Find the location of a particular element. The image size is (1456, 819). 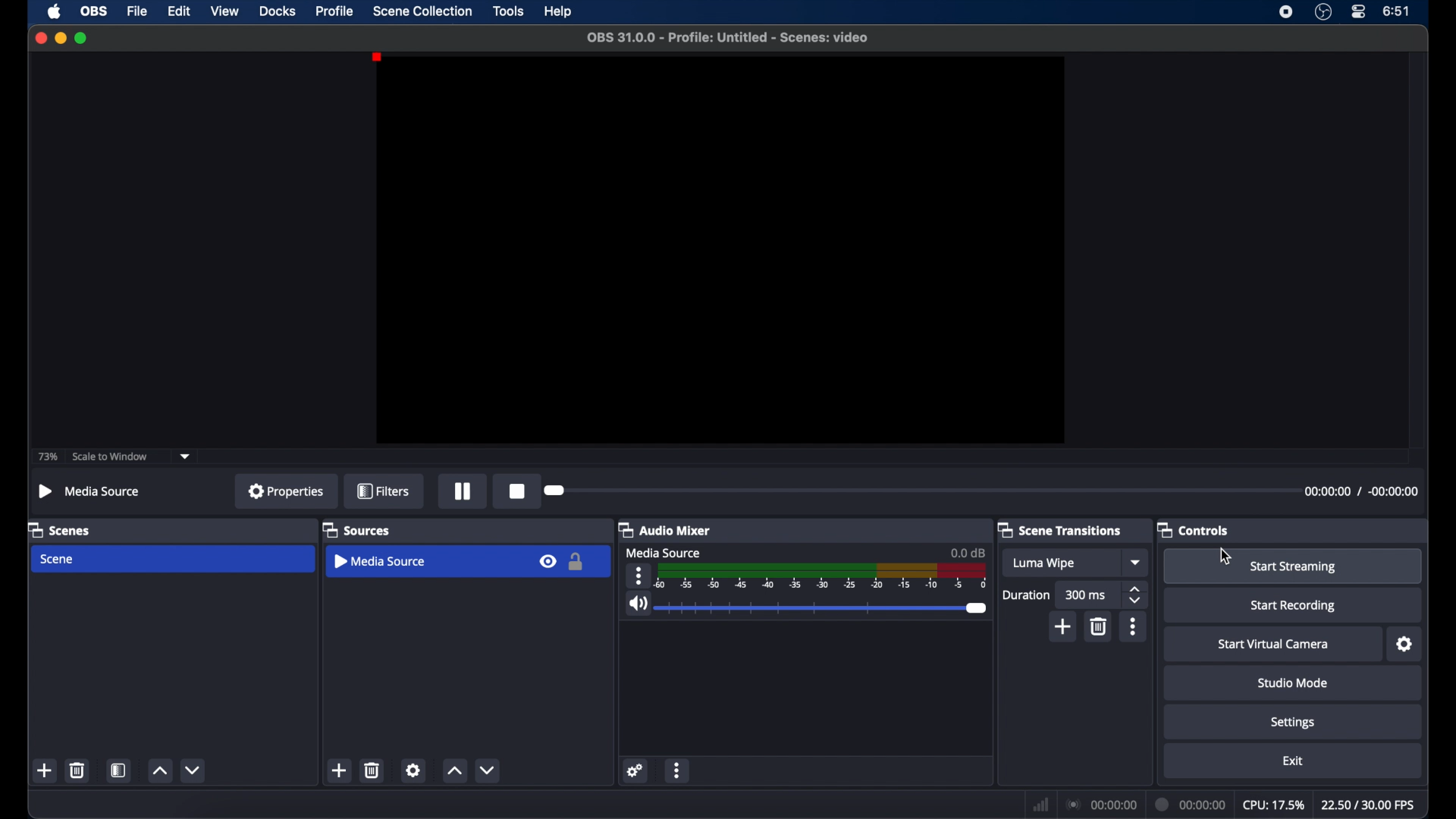

luma wipe is located at coordinates (1043, 563).